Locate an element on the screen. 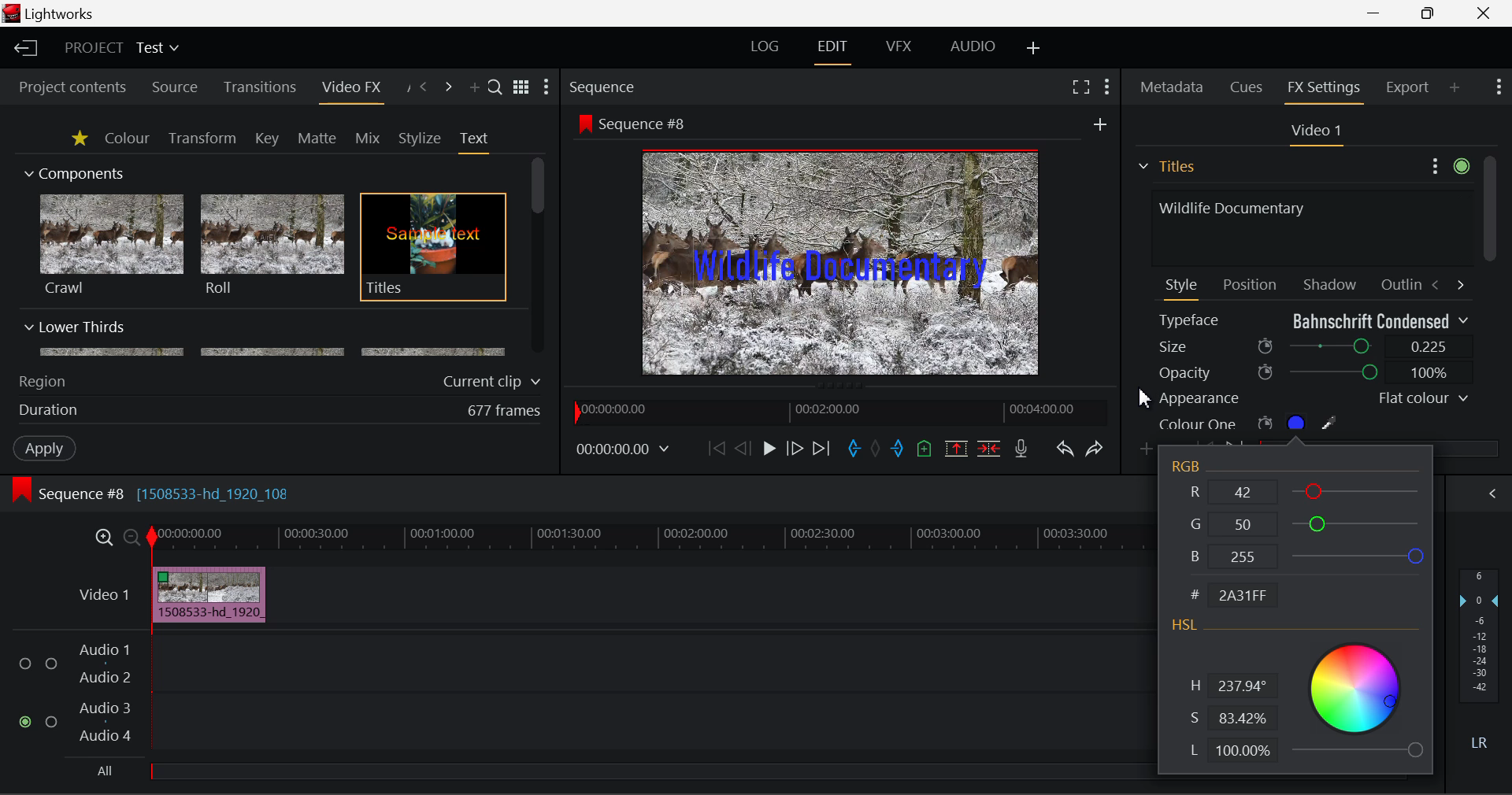 The height and width of the screenshot is (795, 1512). R is located at coordinates (1308, 490).